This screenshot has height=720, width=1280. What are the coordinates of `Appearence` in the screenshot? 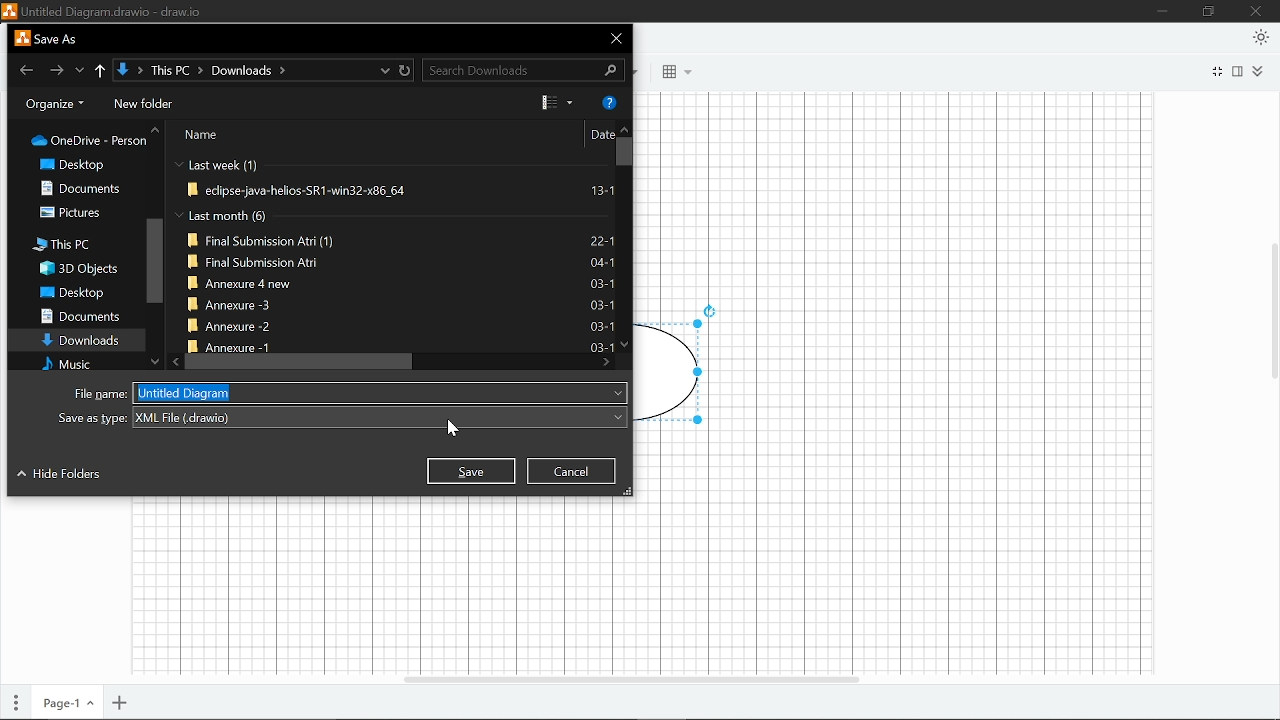 It's located at (1261, 38).